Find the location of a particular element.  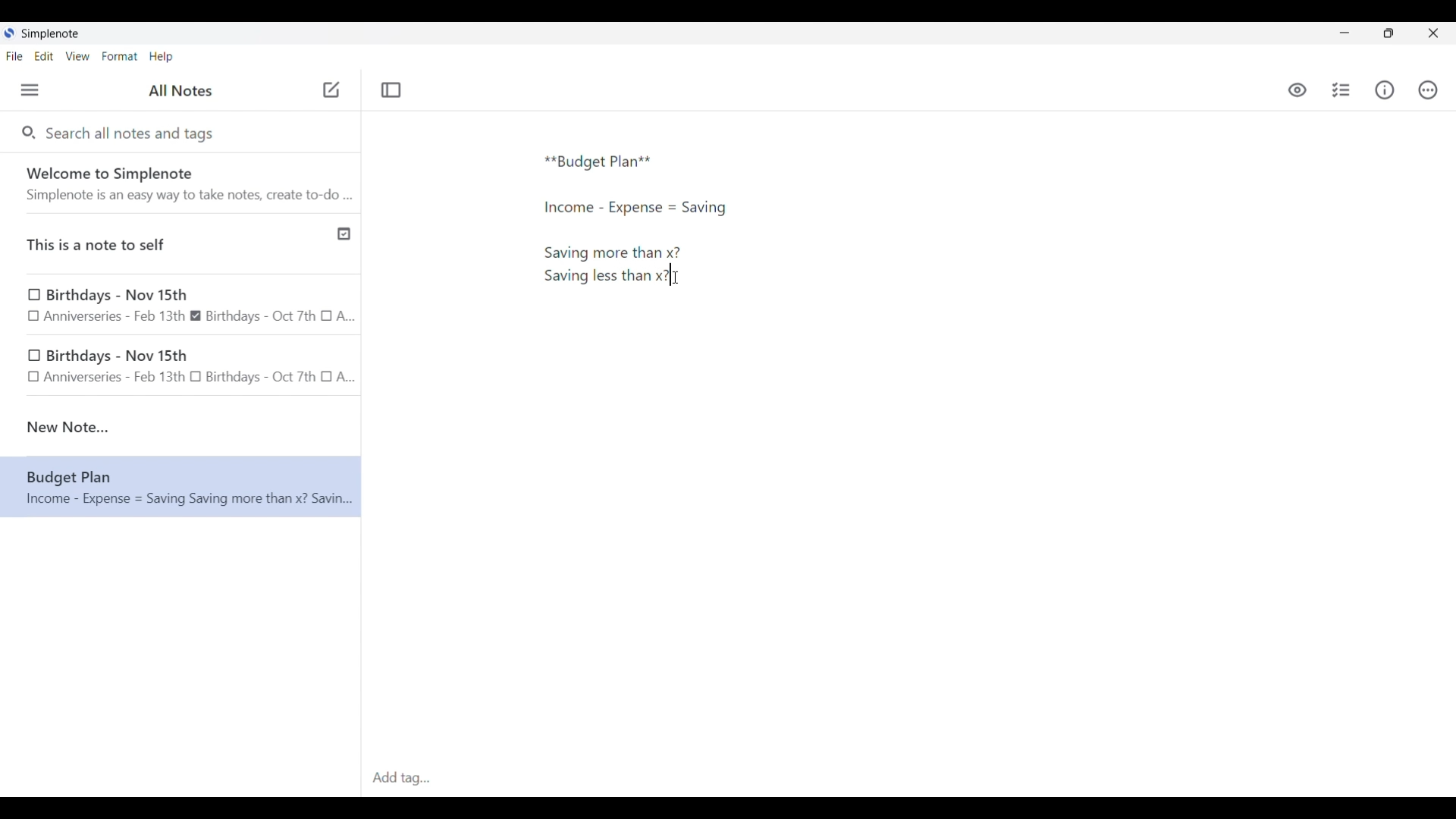

Actions is located at coordinates (1427, 90).